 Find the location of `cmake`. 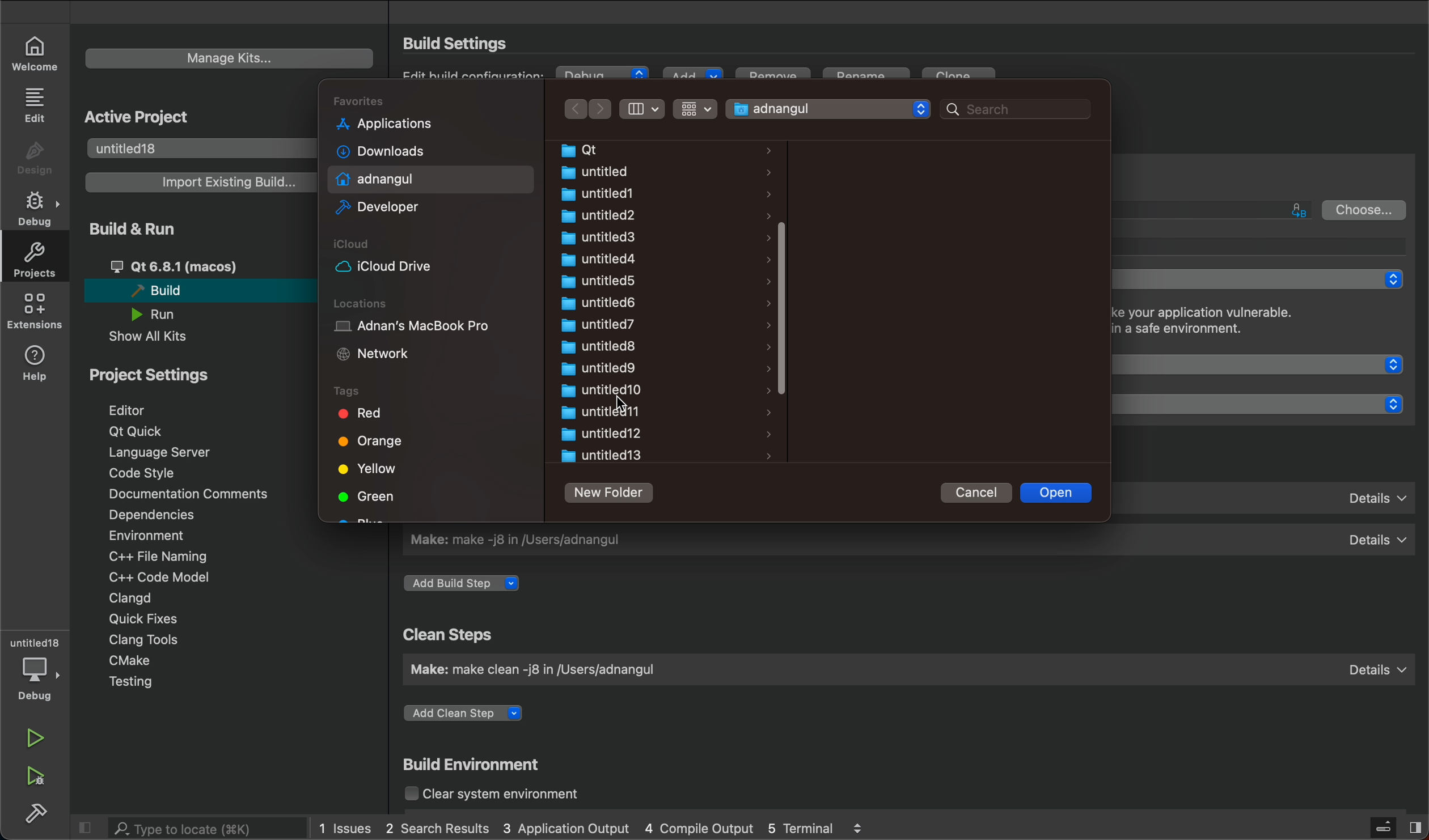

cmake is located at coordinates (133, 660).